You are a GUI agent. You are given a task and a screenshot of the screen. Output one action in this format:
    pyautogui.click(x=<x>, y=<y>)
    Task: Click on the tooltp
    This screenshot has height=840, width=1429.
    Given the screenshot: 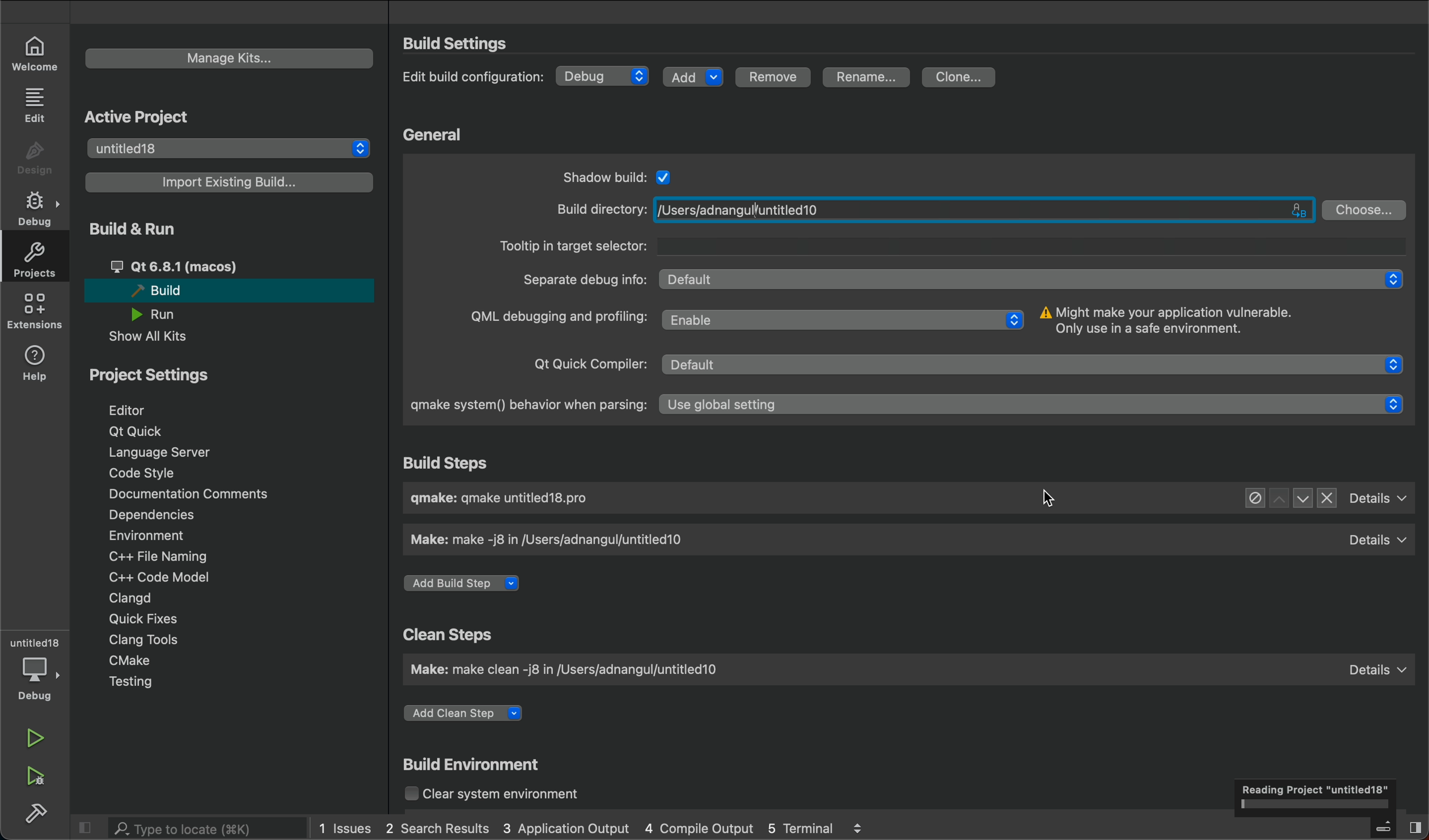 What is the action you would take?
    pyautogui.click(x=950, y=245)
    